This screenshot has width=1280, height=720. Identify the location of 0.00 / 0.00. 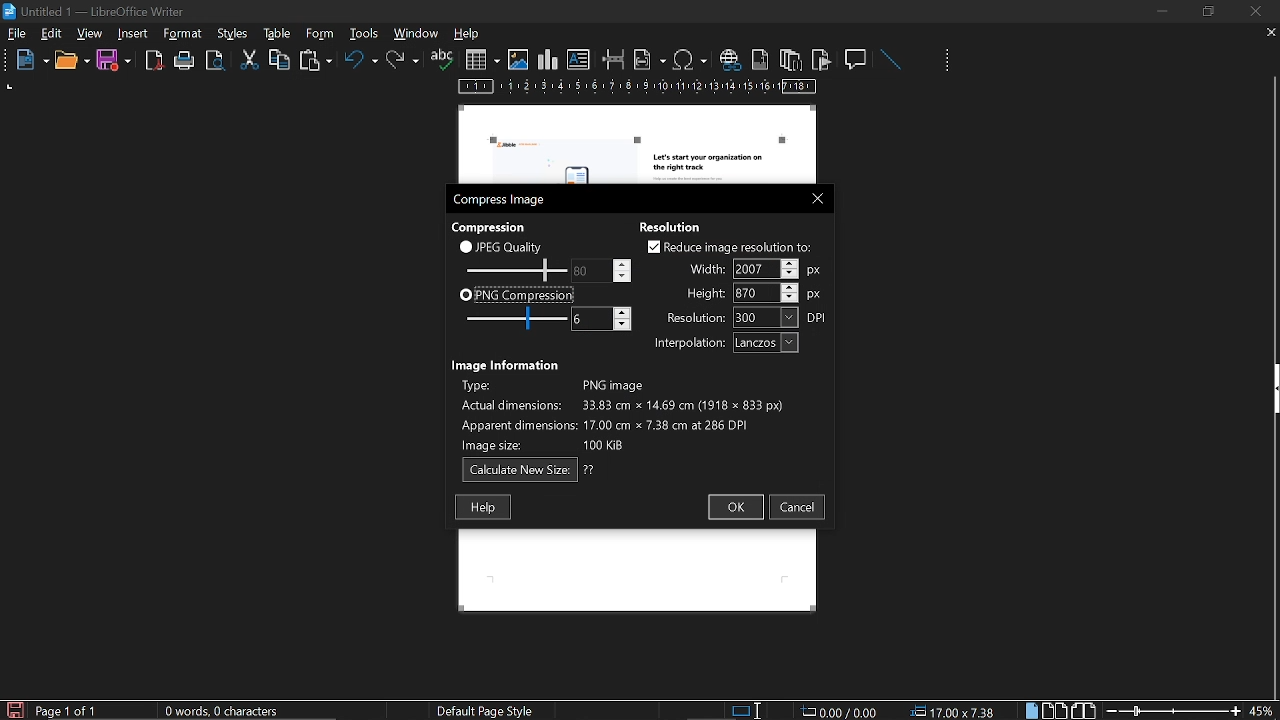
(842, 710).